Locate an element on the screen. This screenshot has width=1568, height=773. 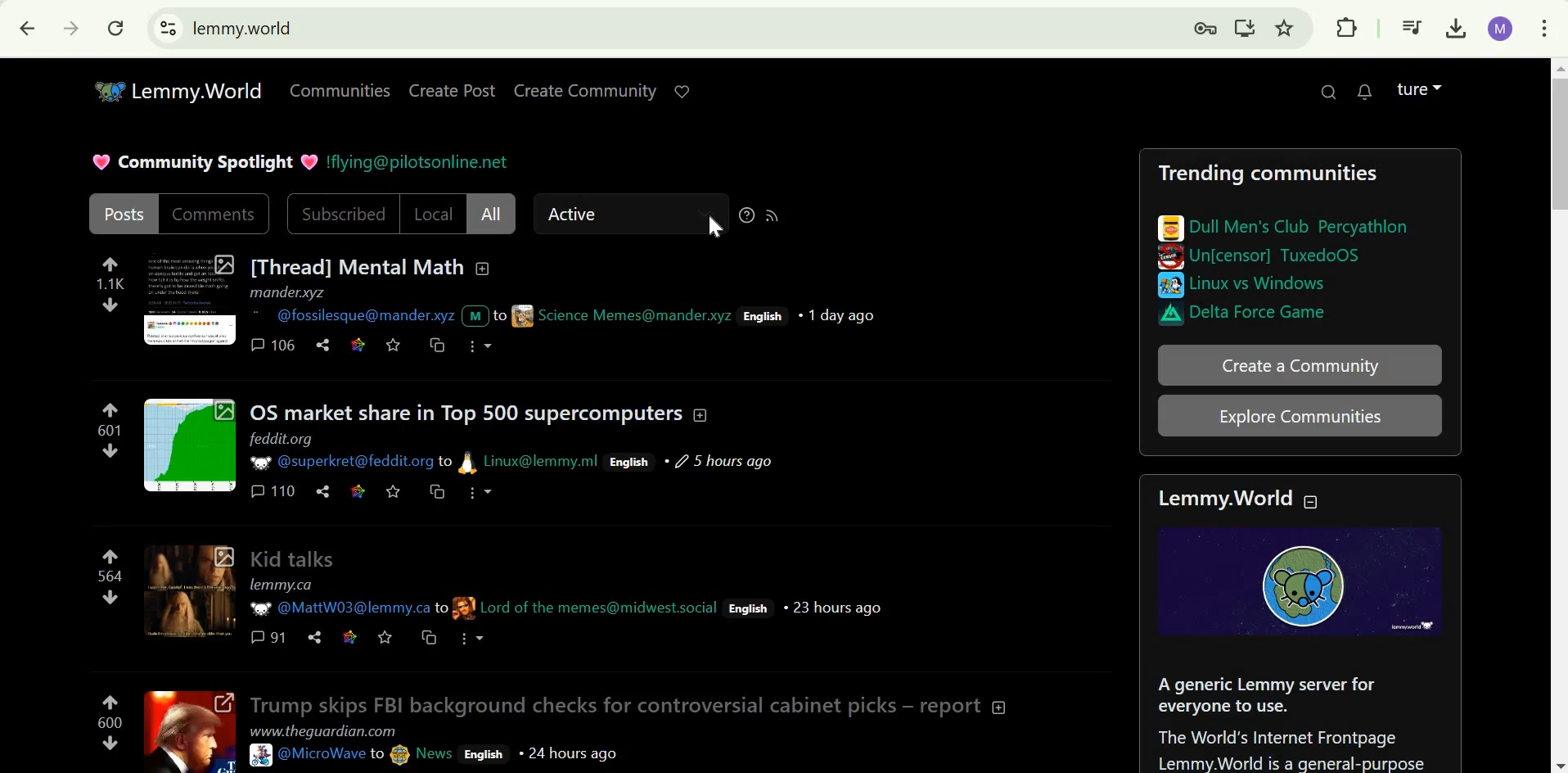
Linux@lemmy.ml is located at coordinates (543, 460).